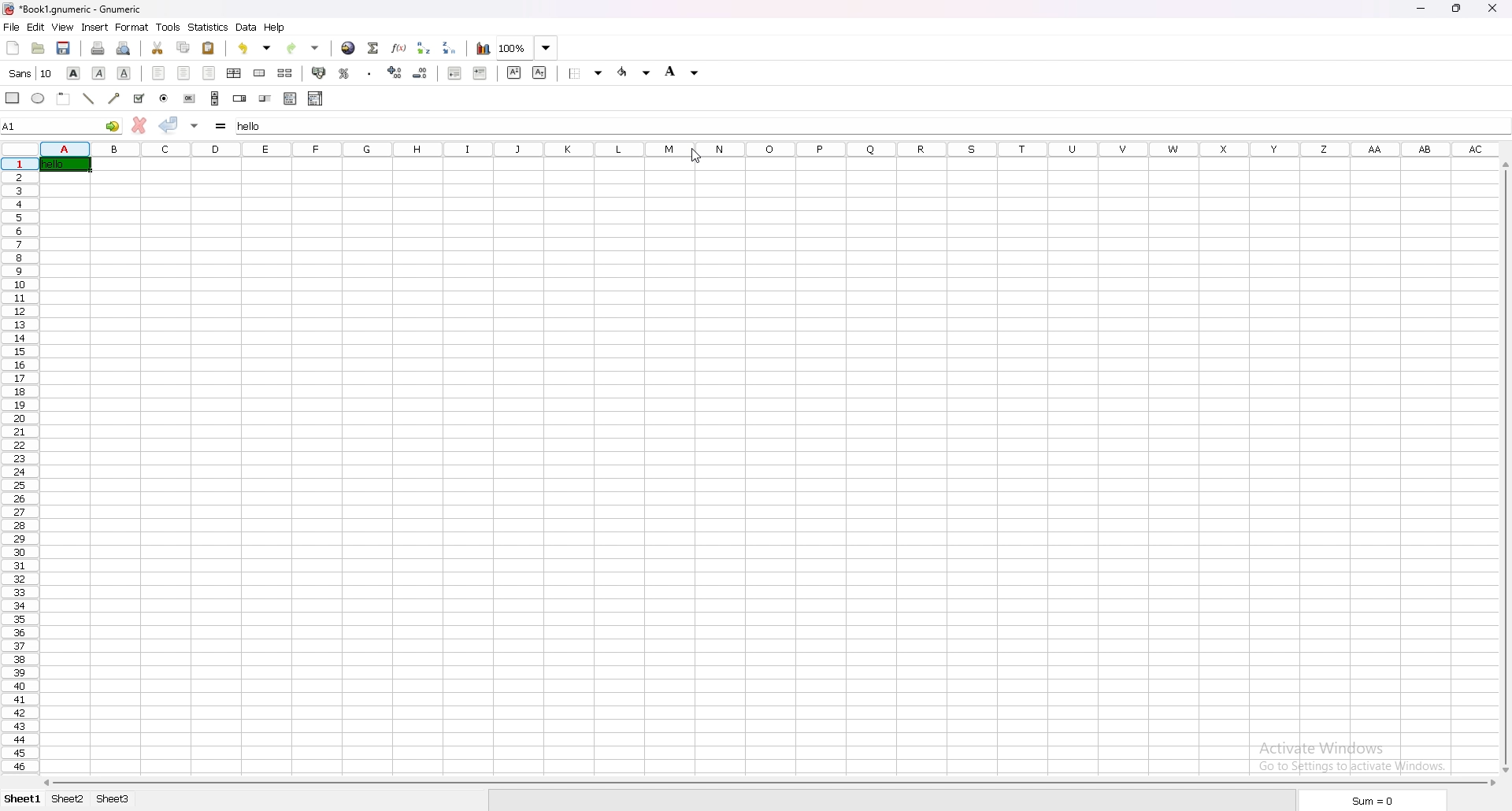 The image size is (1512, 811). Describe the element at coordinates (208, 27) in the screenshot. I see `statistics` at that location.